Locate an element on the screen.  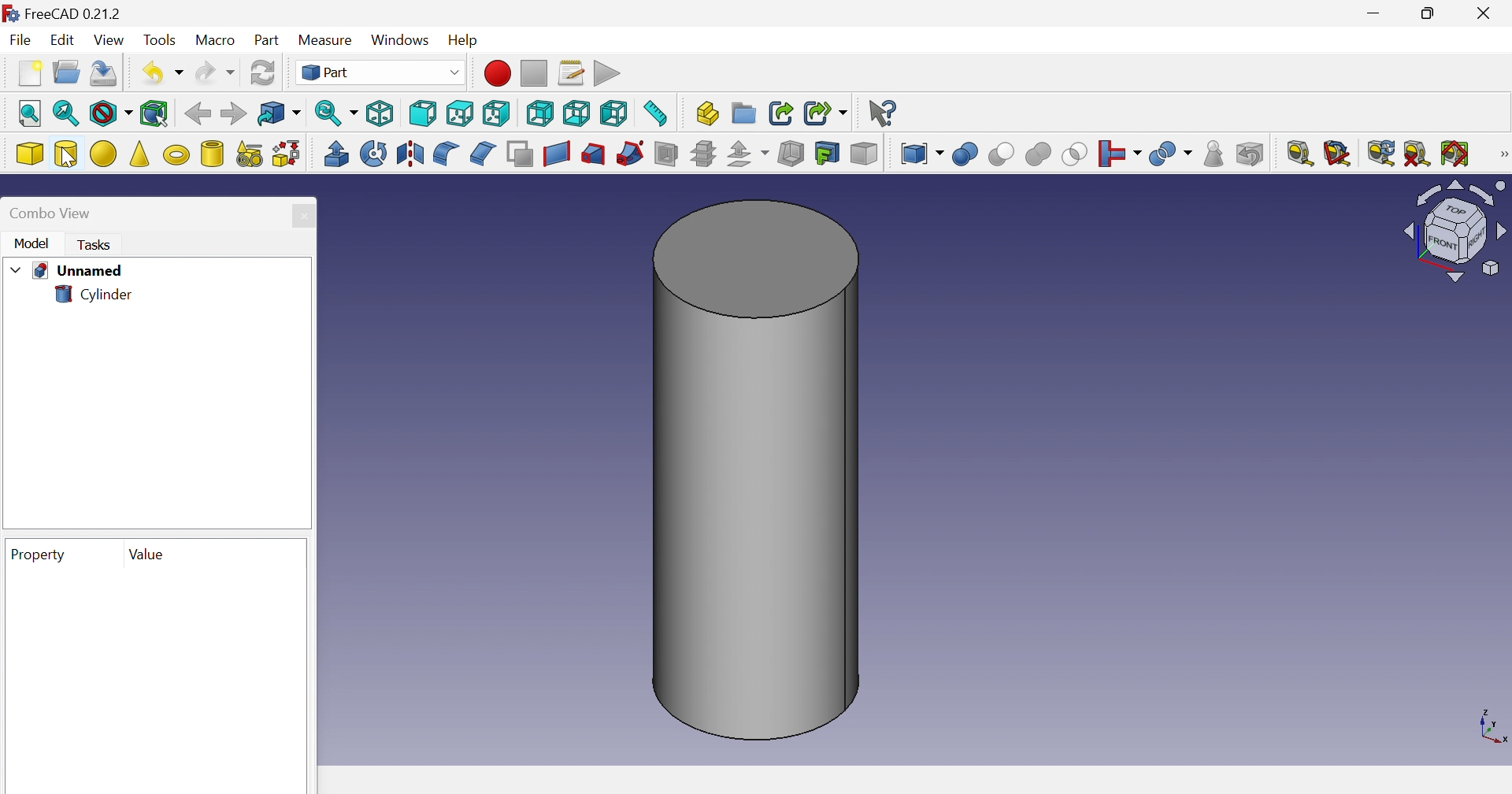
Close is located at coordinates (1487, 11).